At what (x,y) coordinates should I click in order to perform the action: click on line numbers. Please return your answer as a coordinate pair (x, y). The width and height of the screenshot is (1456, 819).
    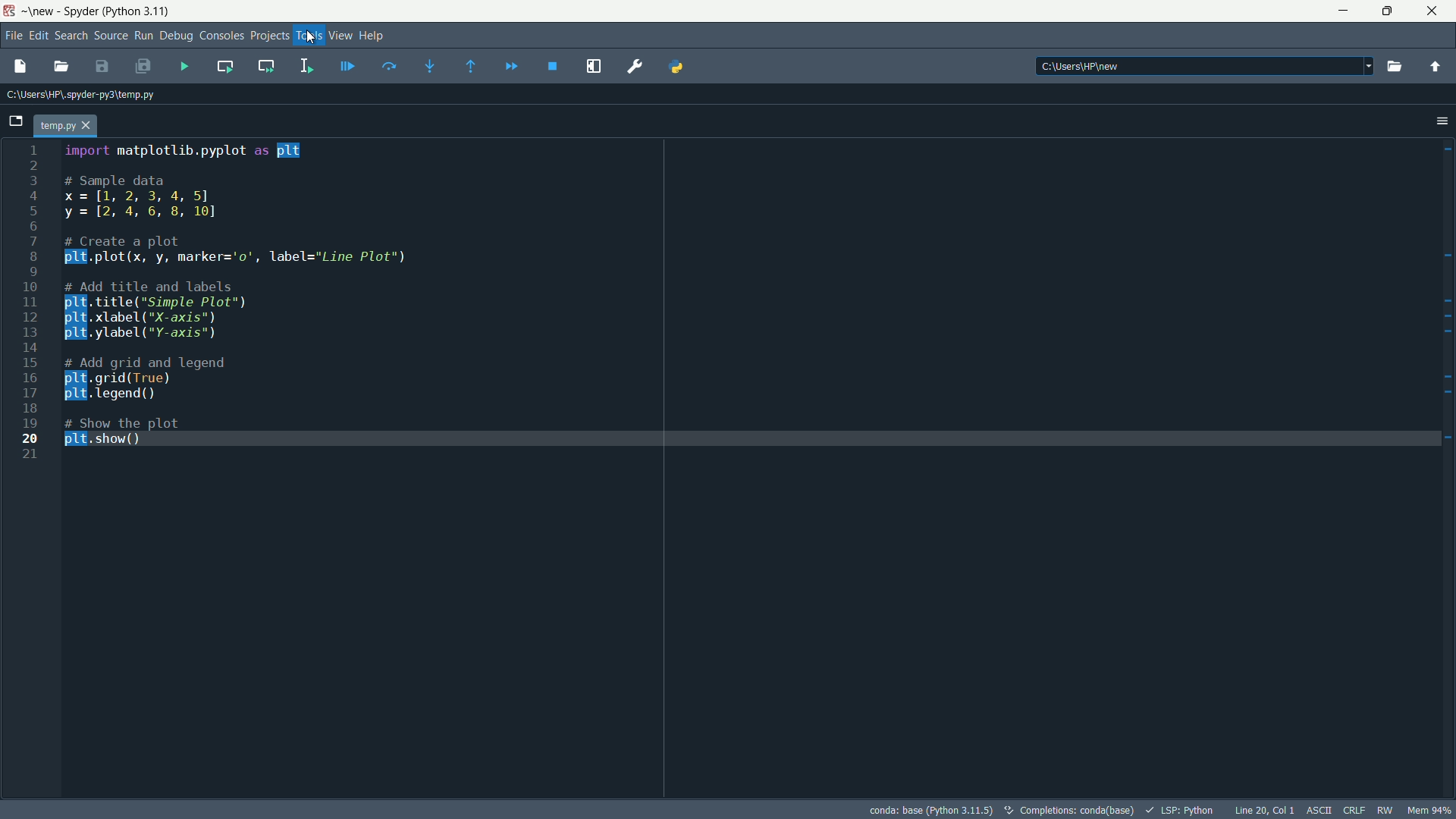
    Looking at the image, I should click on (33, 301).